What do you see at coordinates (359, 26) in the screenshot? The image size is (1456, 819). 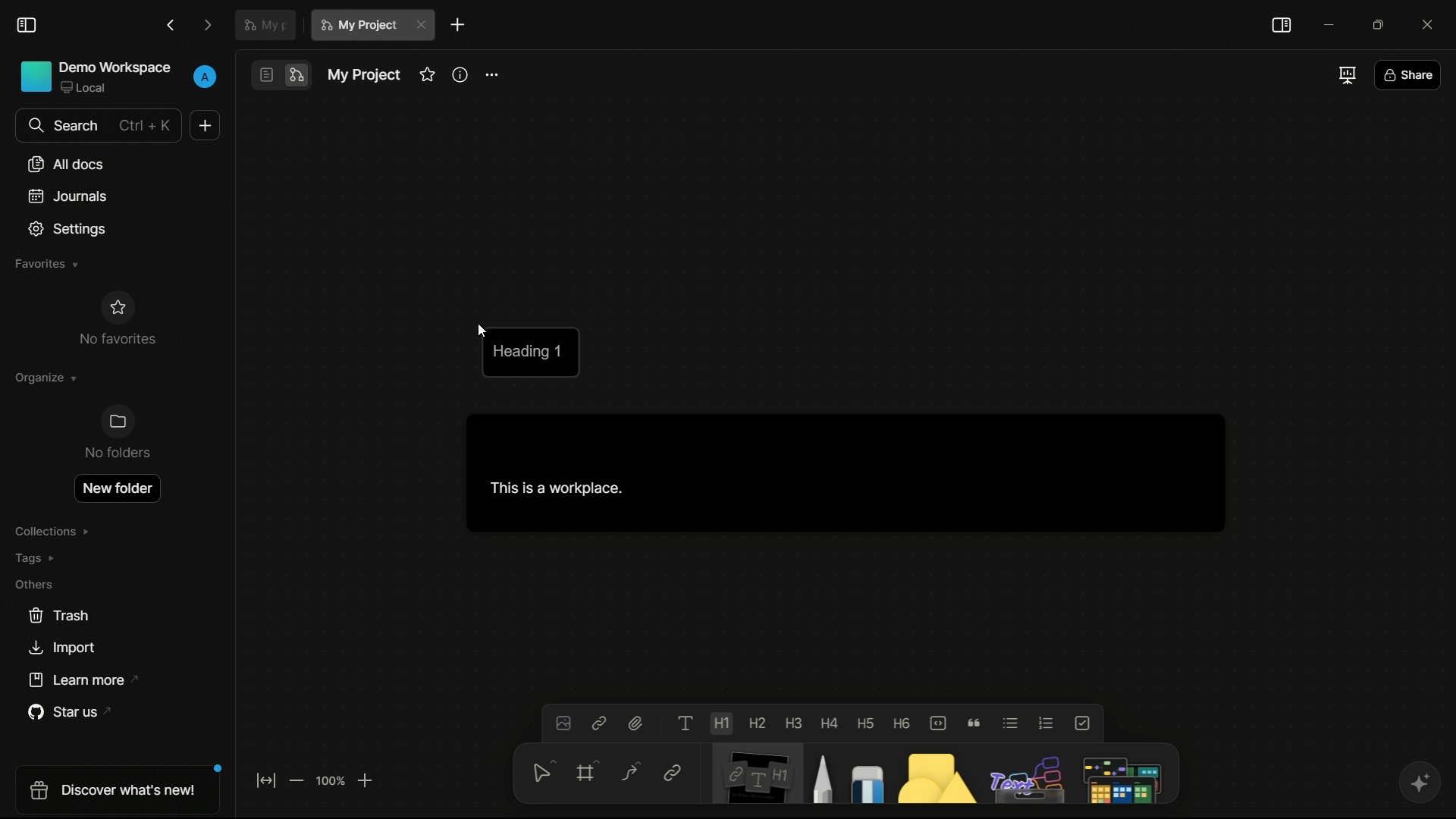 I see `current document name` at bounding box center [359, 26].